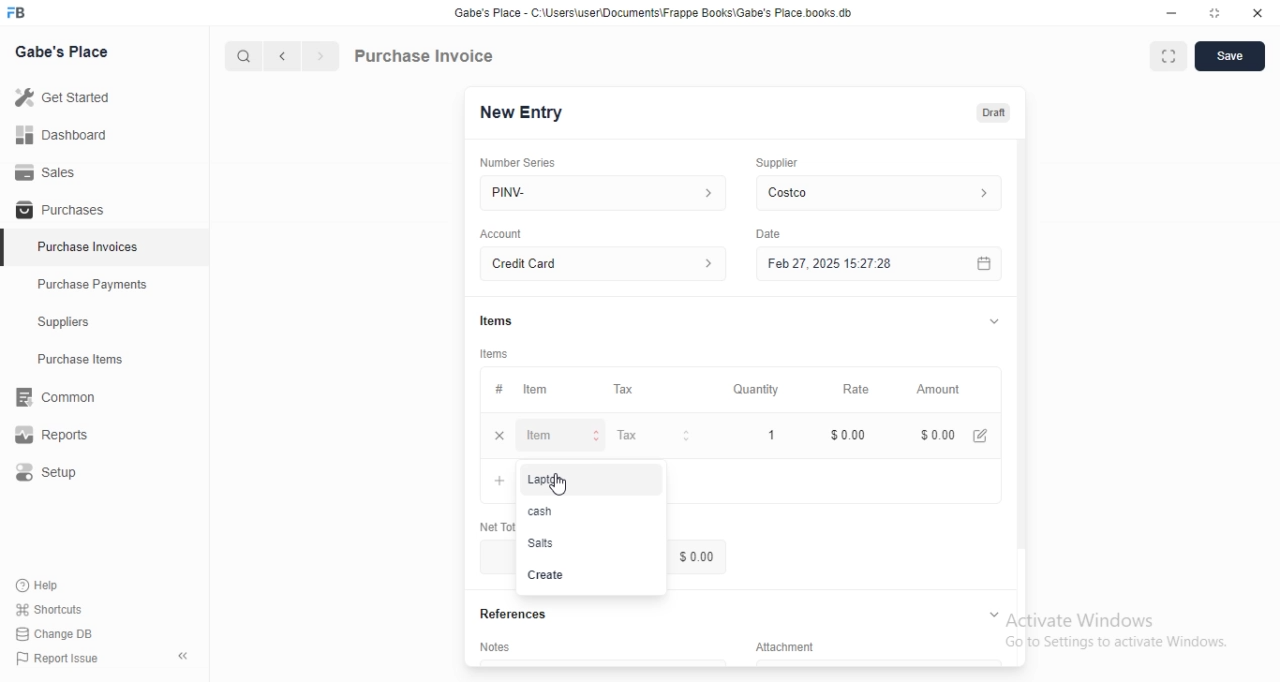  What do you see at coordinates (322, 56) in the screenshot?
I see `Next` at bounding box center [322, 56].